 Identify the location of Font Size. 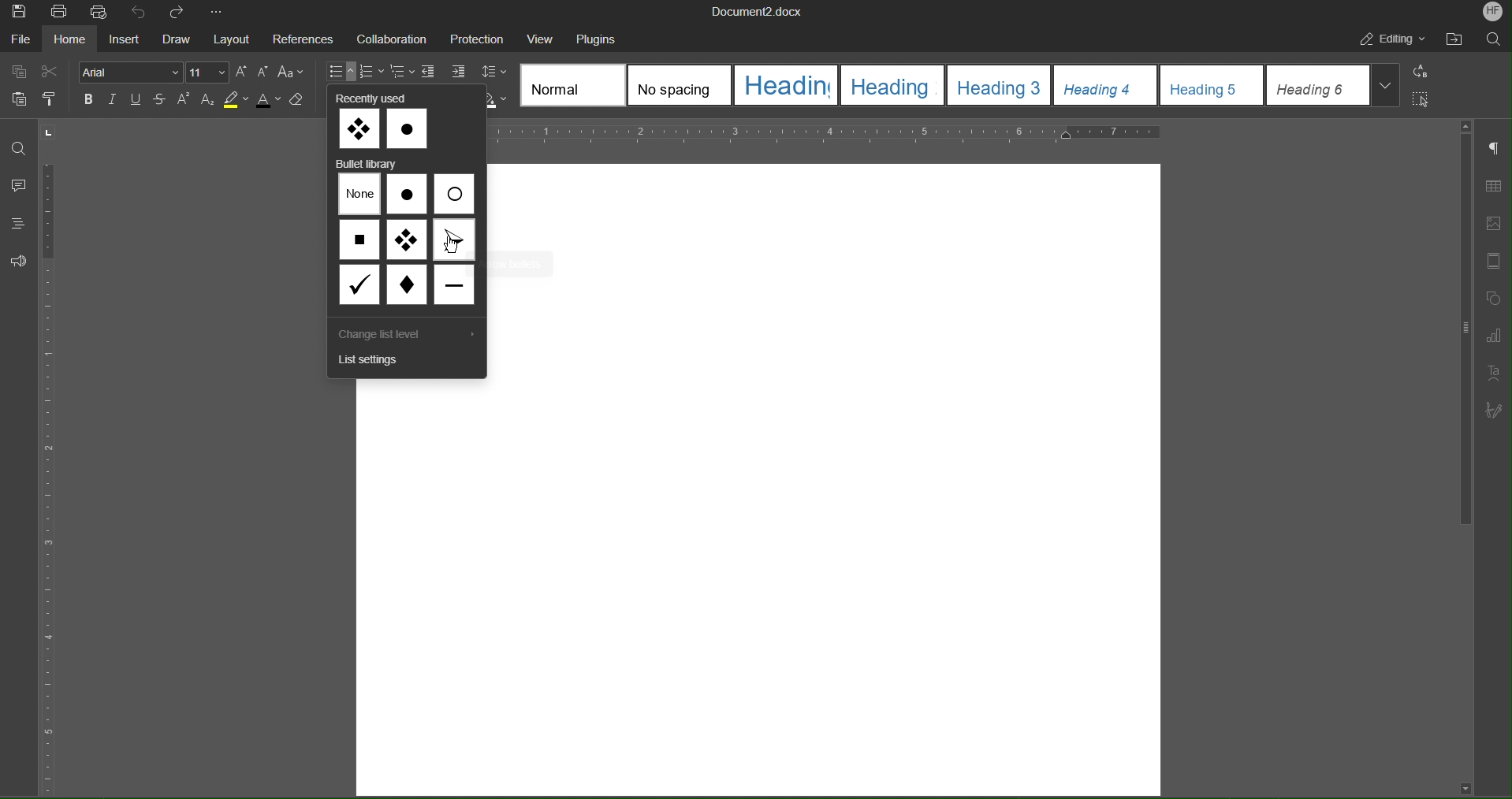
(207, 72).